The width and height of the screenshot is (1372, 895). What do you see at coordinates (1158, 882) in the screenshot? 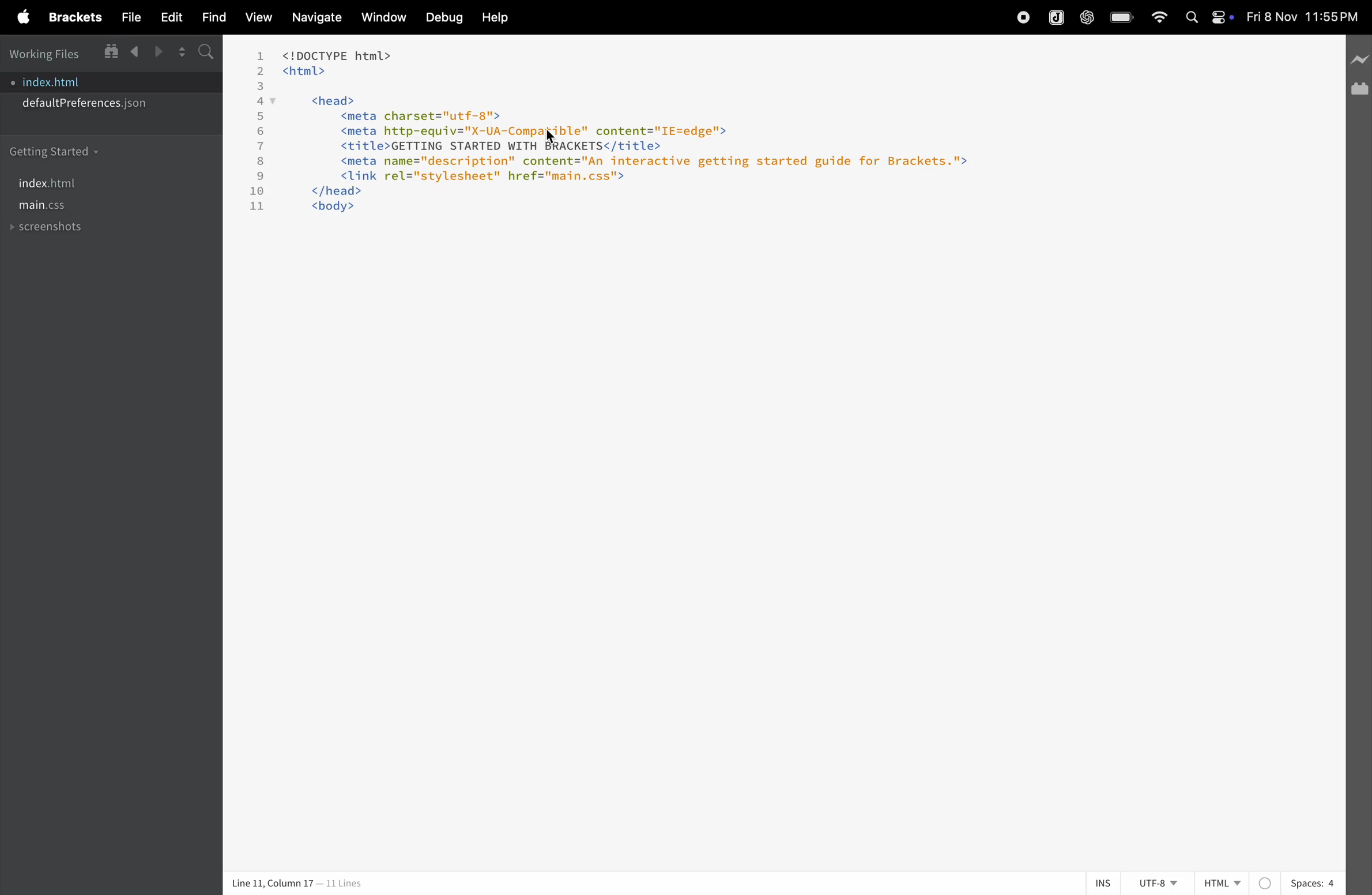
I see `utf-8` at bounding box center [1158, 882].